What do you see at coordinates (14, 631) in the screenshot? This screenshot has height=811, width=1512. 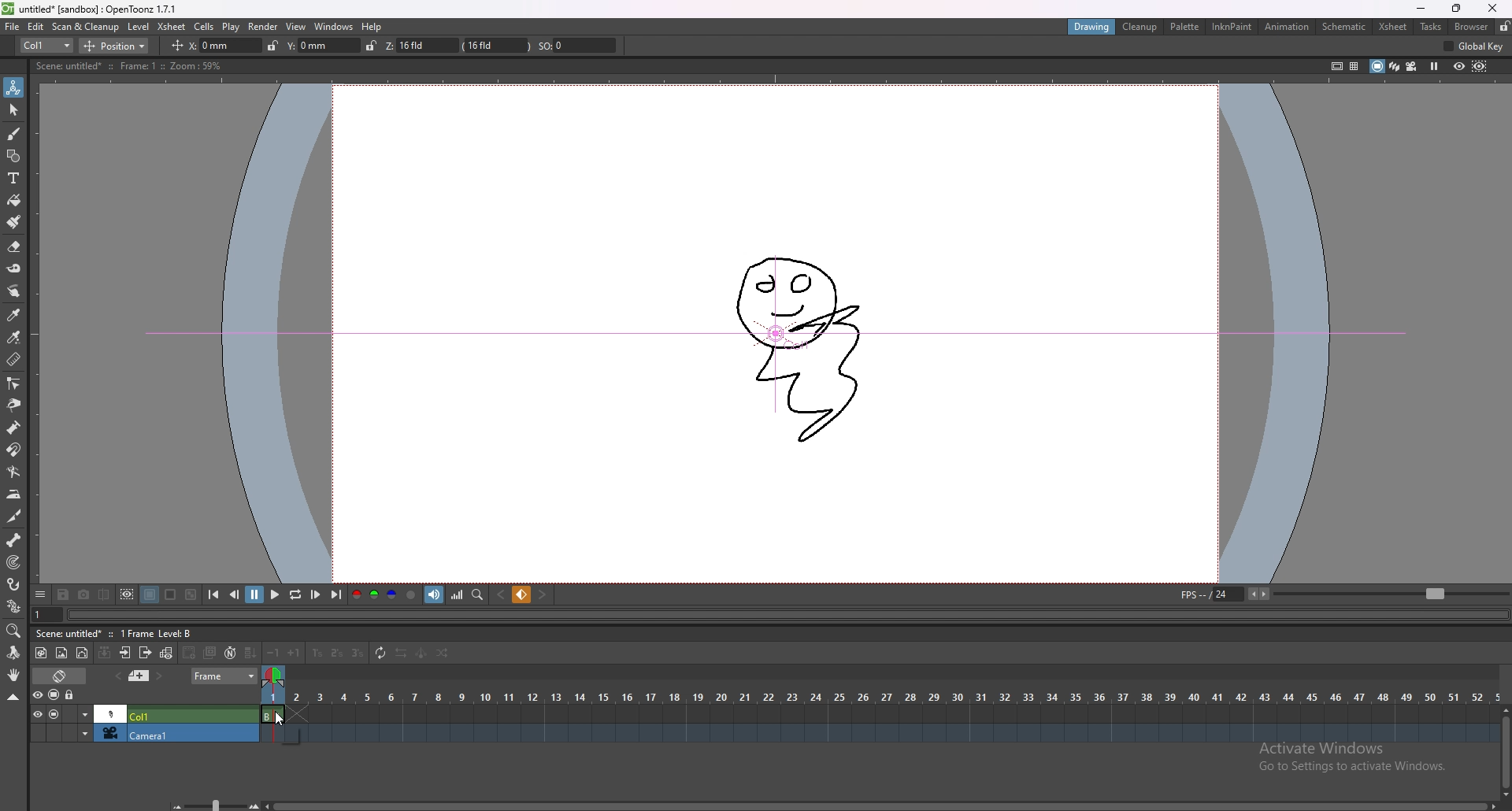 I see `zoom` at bounding box center [14, 631].